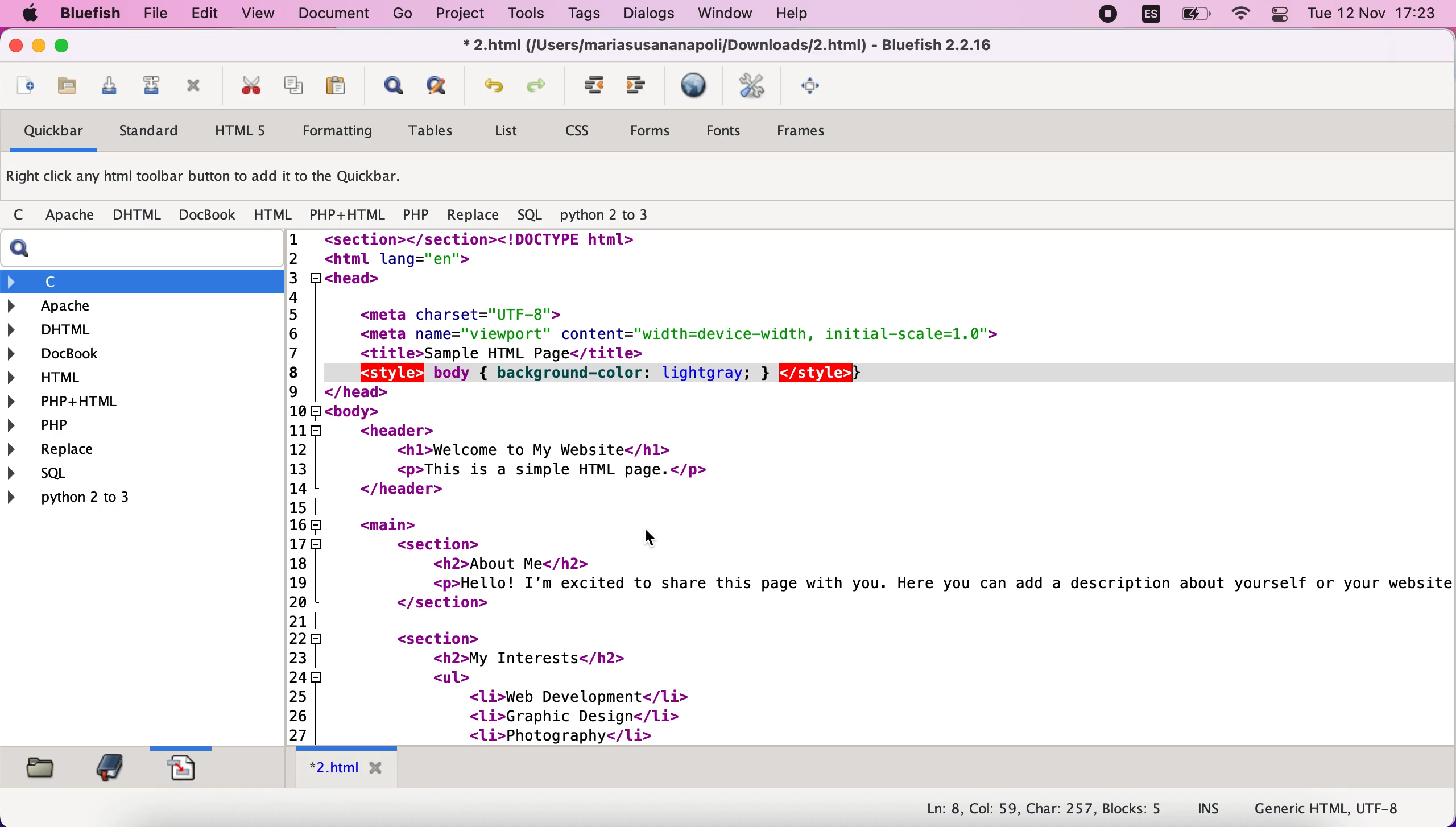 Image resolution: width=1456 pixels, height=827 pixels. I want to click on * 2.html (/Users/mariasusananapoli/Downloads/2.html) - Bluefish 2.2.16, so click(731, 47).